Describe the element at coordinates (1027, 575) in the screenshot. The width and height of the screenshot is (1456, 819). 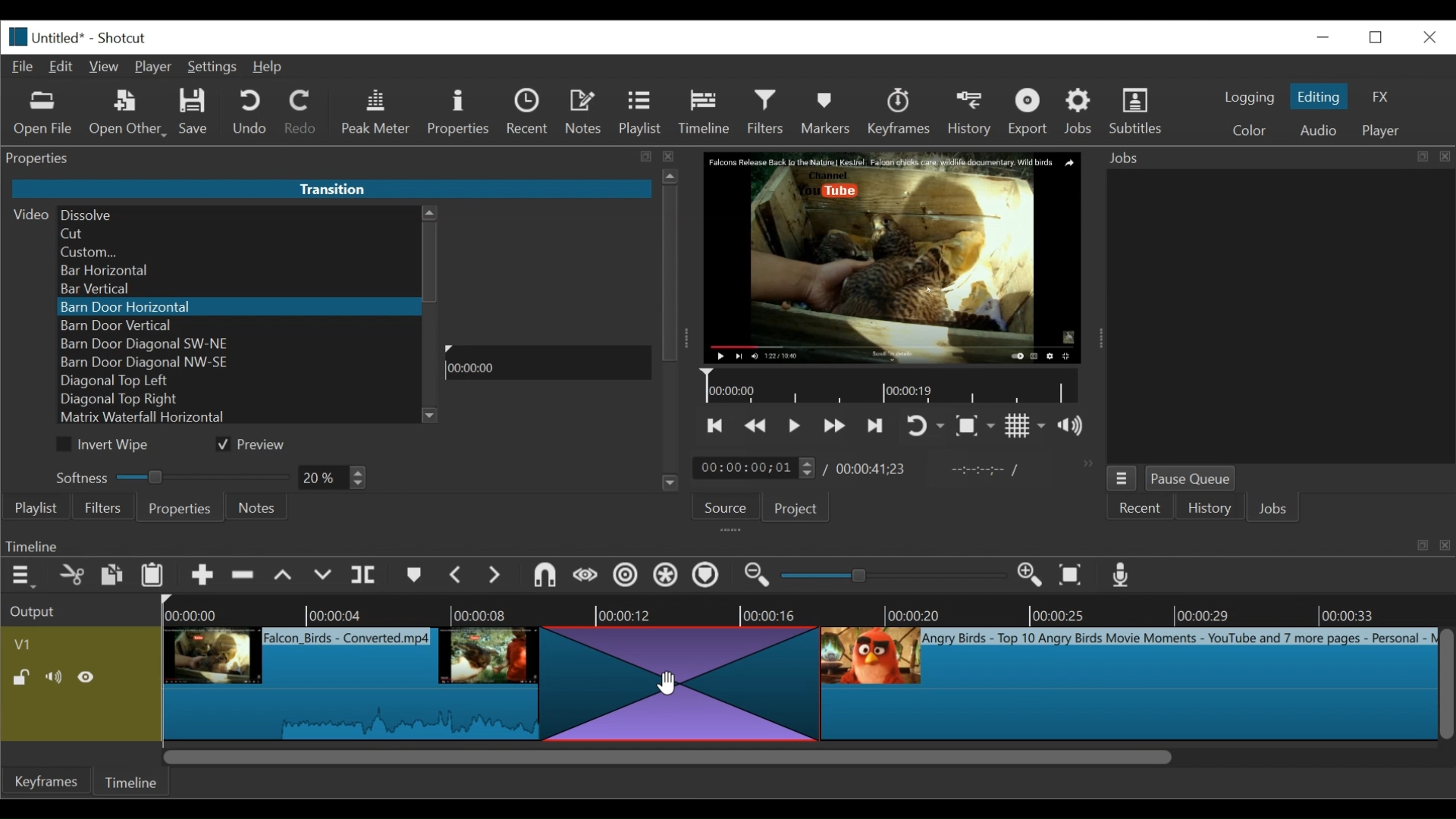
I see `Zoom in` at that location.